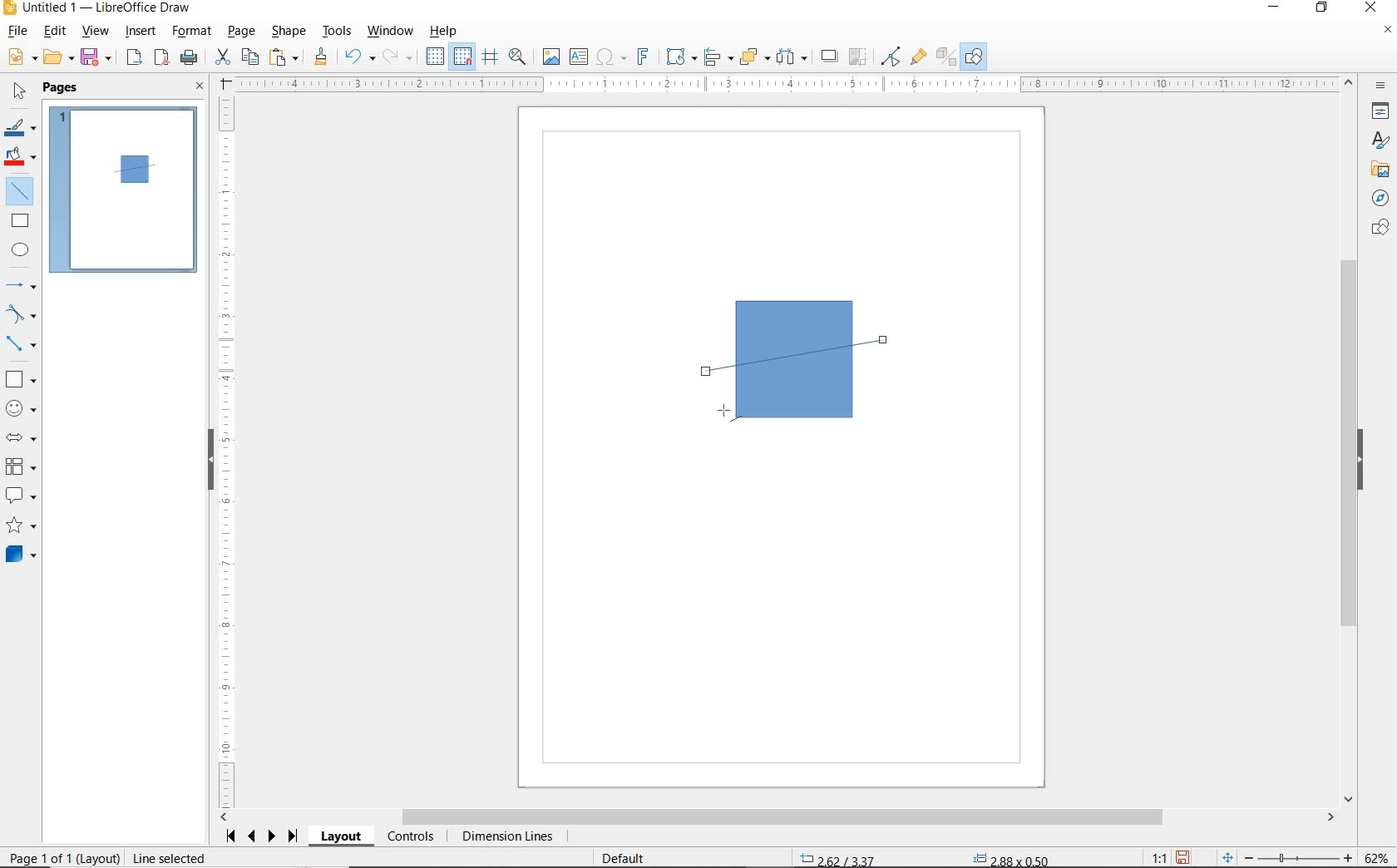  I want to click on CONTROLS, so click(410, 837).